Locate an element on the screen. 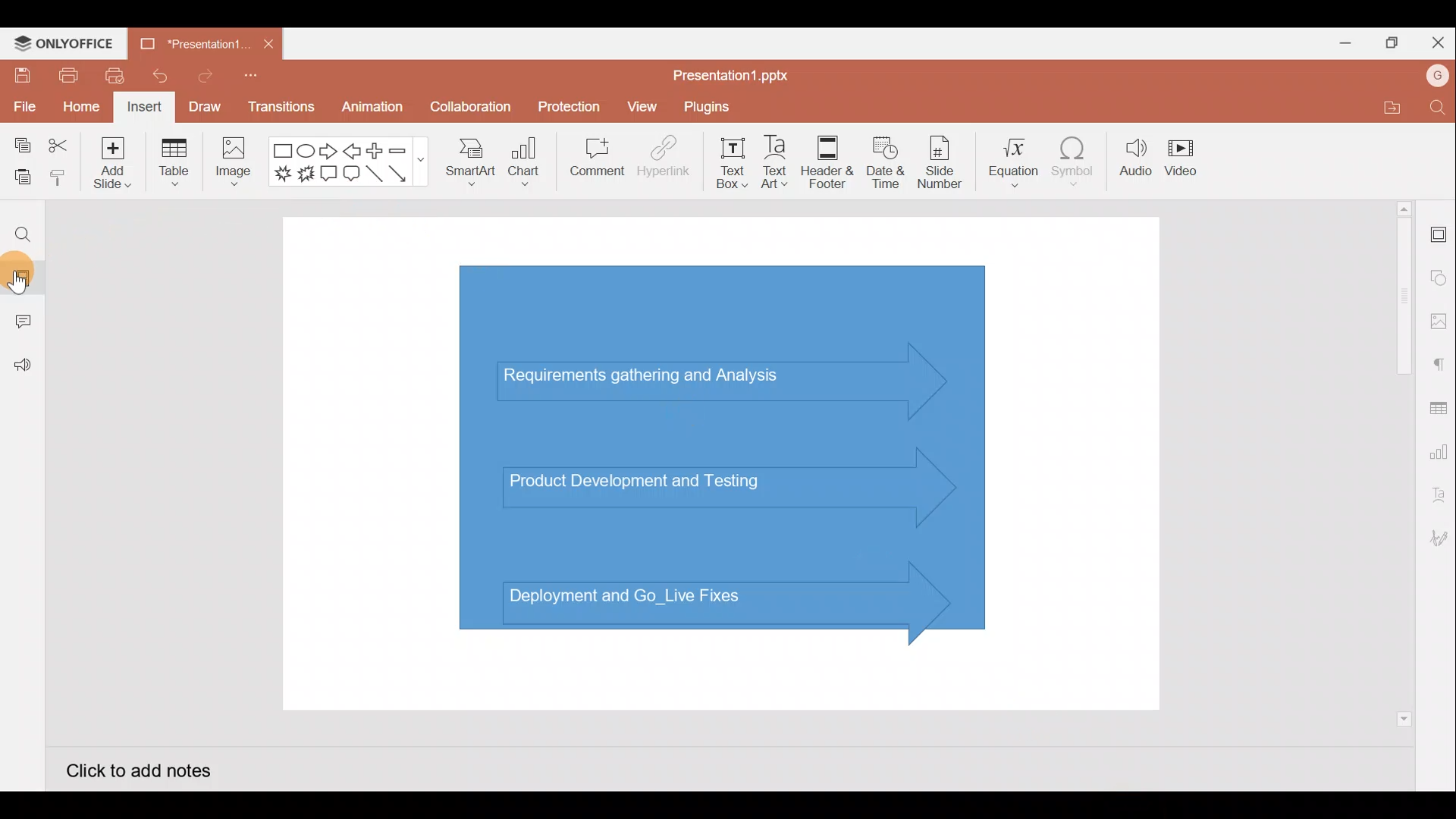 This screenshot has height=819, width=1456. Table settings is located at coordinates (1439, 408).